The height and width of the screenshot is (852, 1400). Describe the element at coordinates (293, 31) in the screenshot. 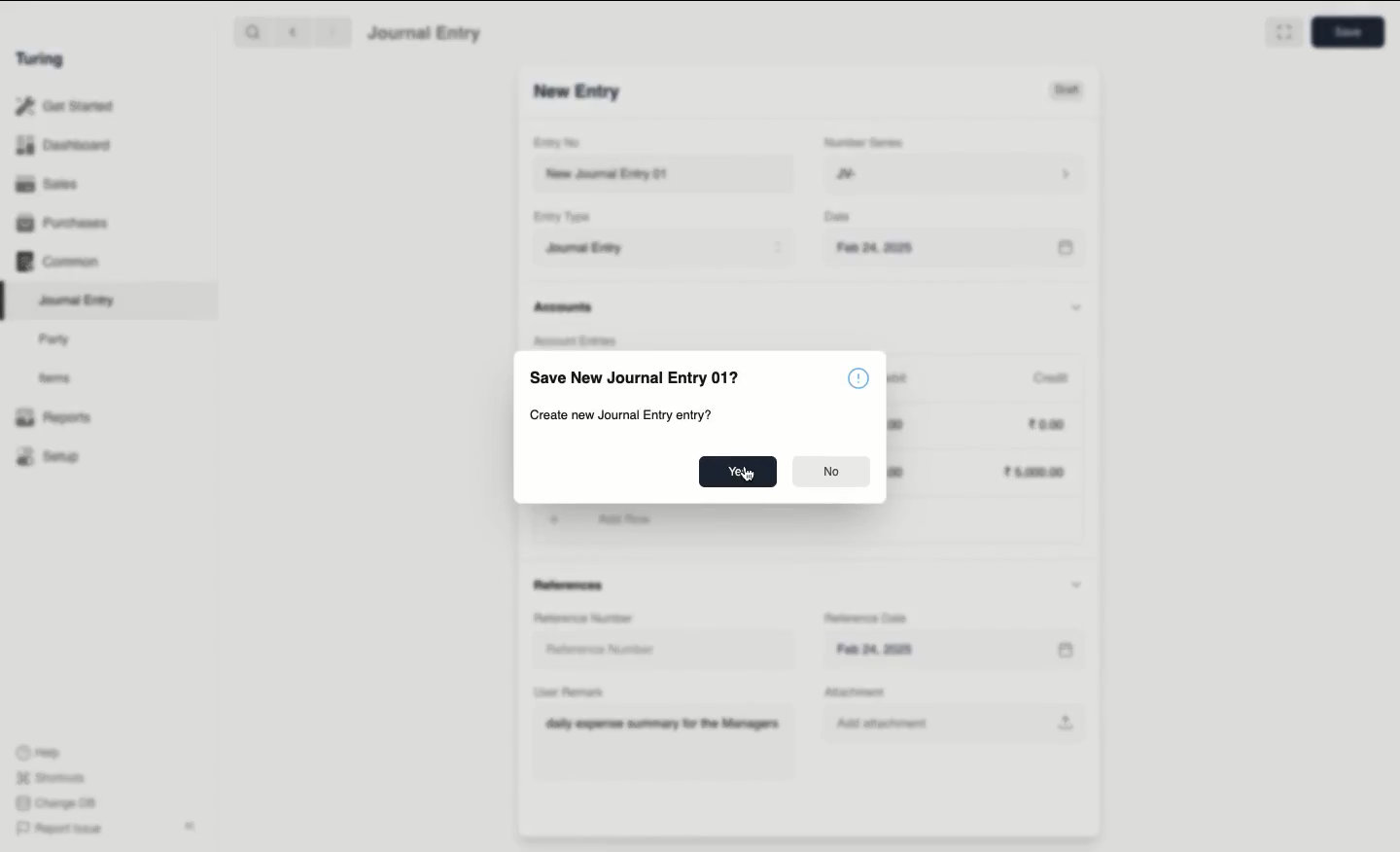

I see `Backward` at that location.